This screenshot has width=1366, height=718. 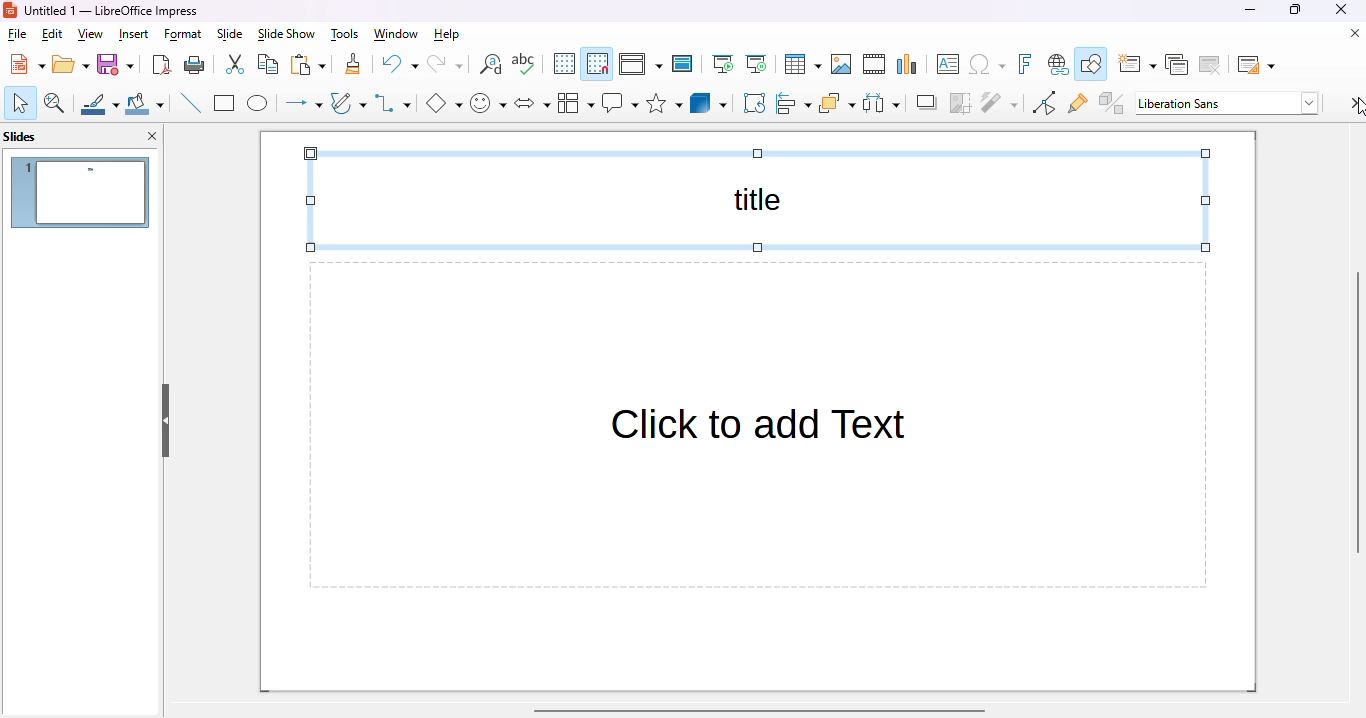 I want to click on new, so click(x=27, y=64).